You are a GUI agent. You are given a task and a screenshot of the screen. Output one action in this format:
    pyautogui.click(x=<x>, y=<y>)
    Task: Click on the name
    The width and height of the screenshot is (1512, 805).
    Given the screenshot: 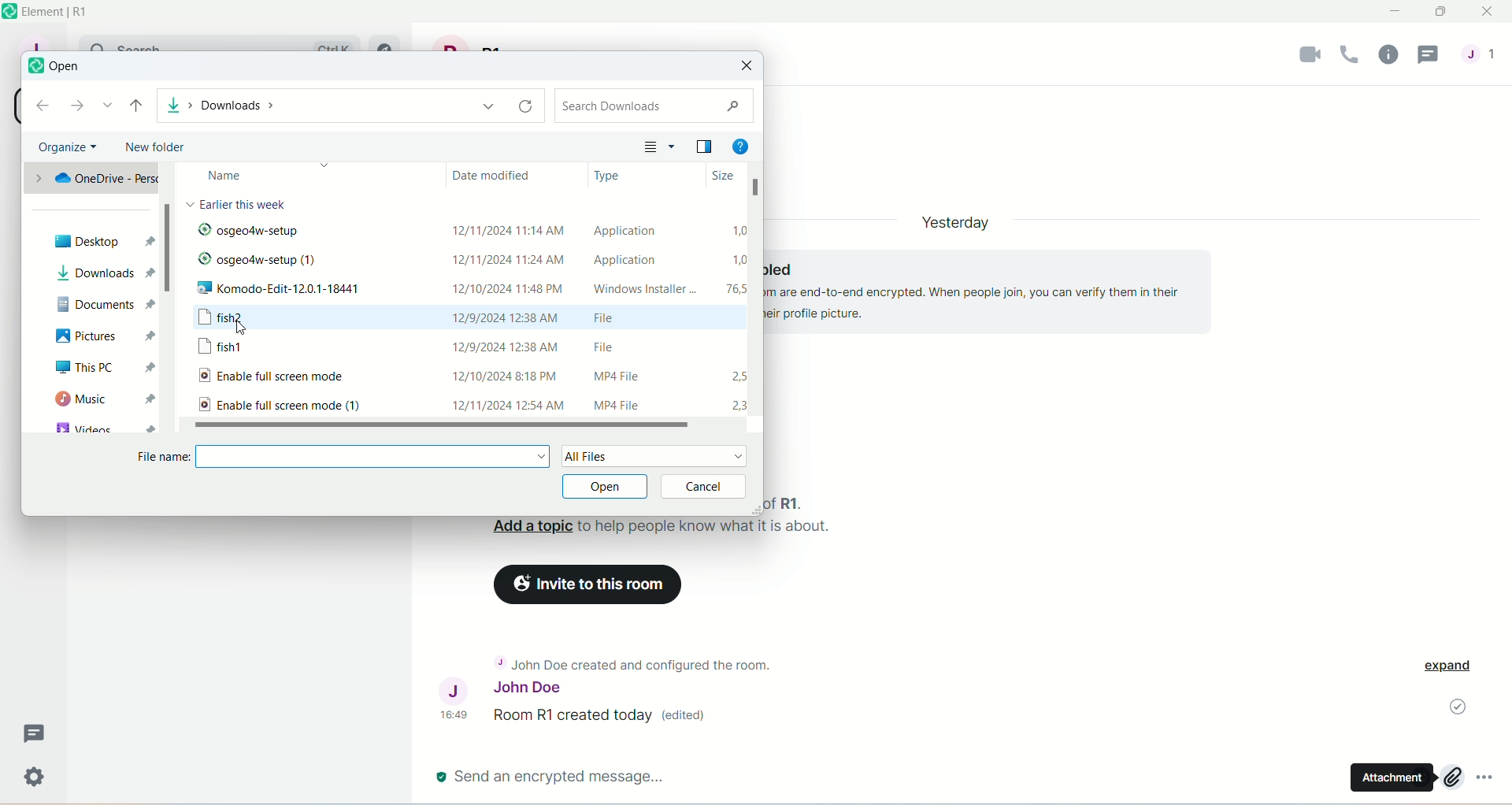 What is the action you would take?
    pyautogui.click(x=261, y=176)
    